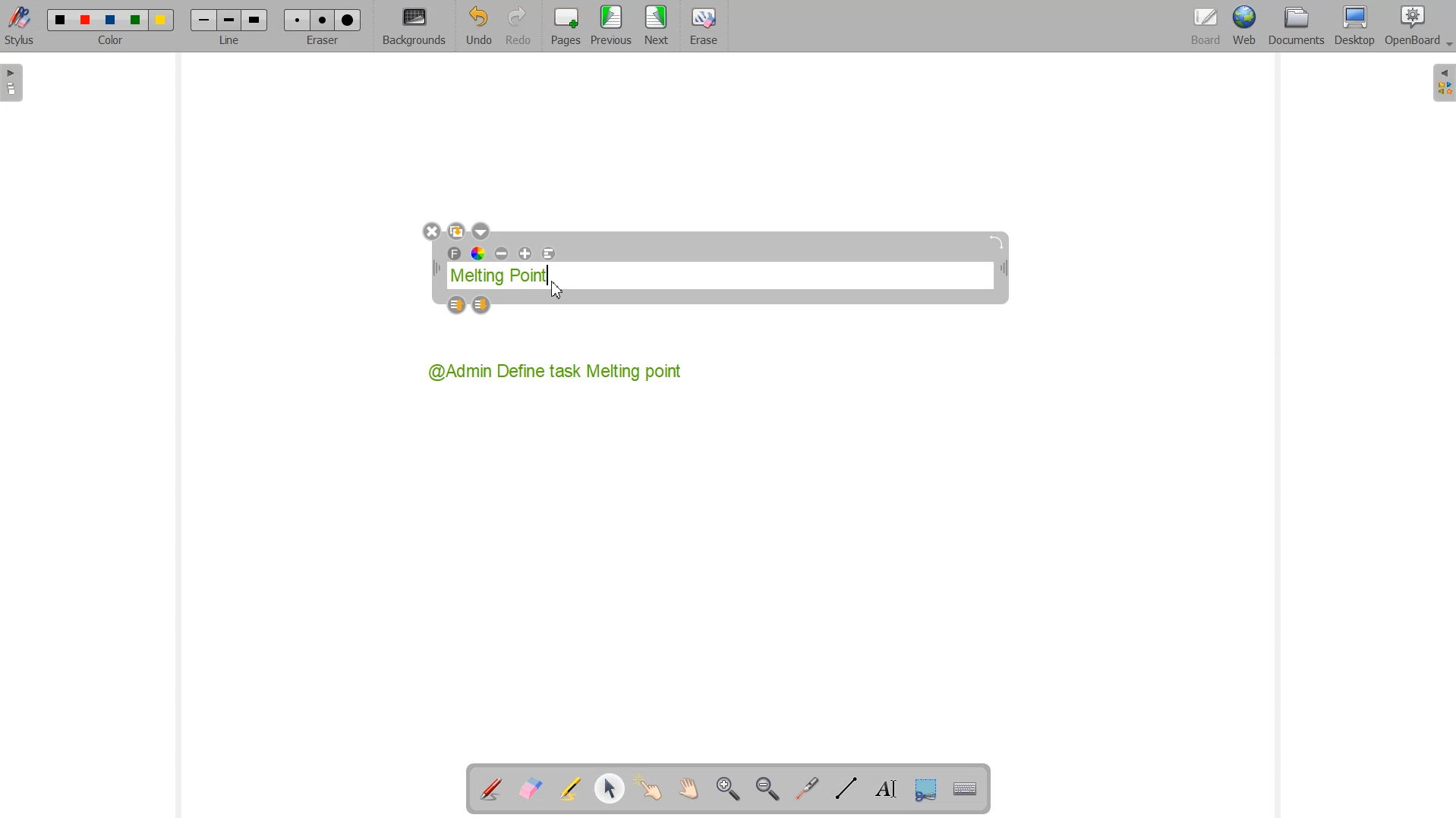  I want to click on Layer Up, so click(459, 306).